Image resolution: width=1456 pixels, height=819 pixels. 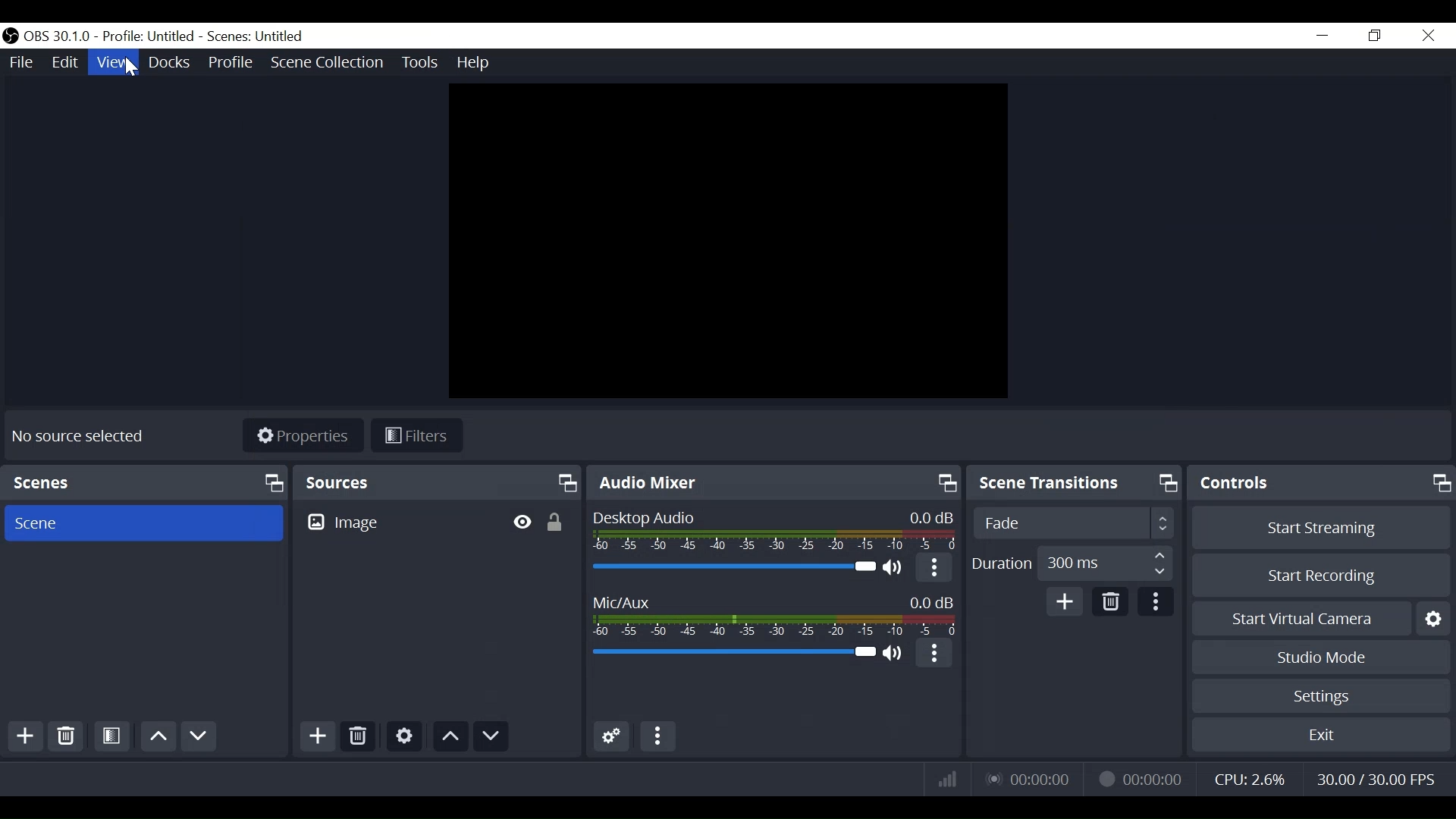 What do you see at coordinates (60, 37) in the screenshot?
I see `OBS Version` at bounding box center [60, 37].